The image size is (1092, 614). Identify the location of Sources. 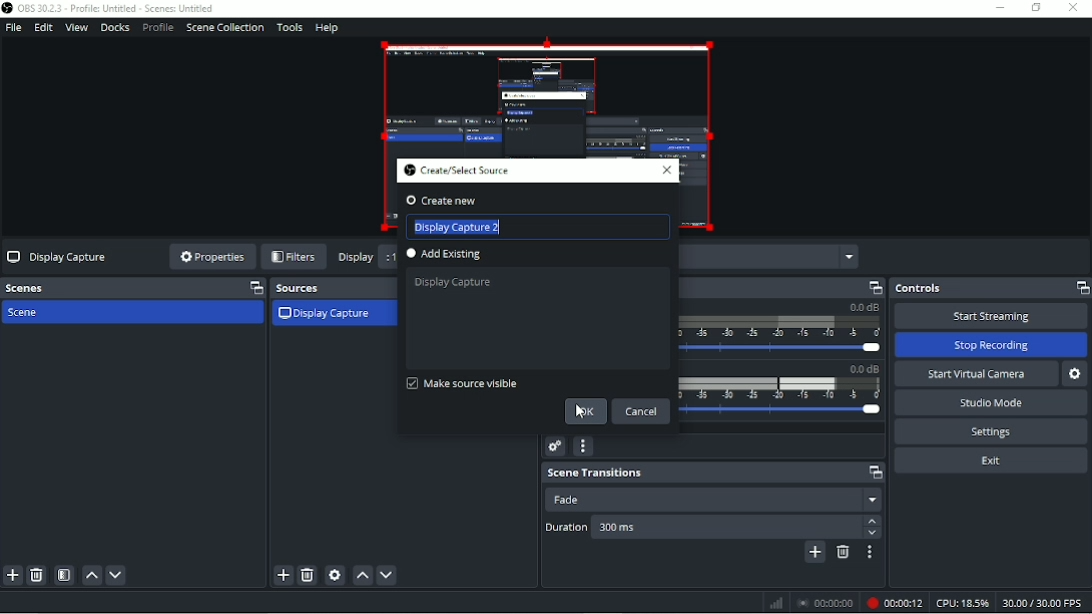
(332, 288).